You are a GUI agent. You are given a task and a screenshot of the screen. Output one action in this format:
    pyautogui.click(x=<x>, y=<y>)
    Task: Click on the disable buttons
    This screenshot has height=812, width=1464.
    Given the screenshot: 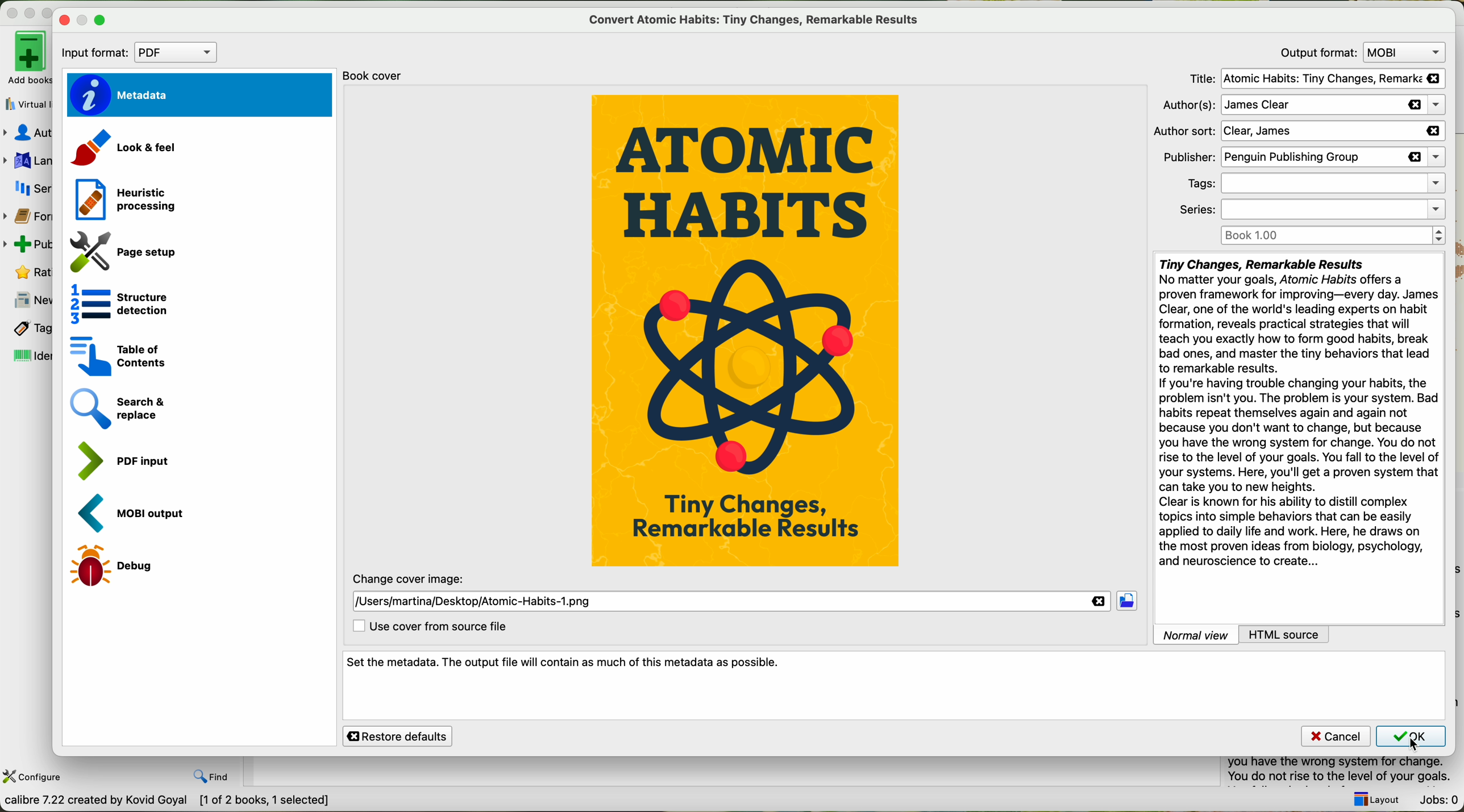 What is the action you would take?
    pyautogui.click(x=28, y=11)
    